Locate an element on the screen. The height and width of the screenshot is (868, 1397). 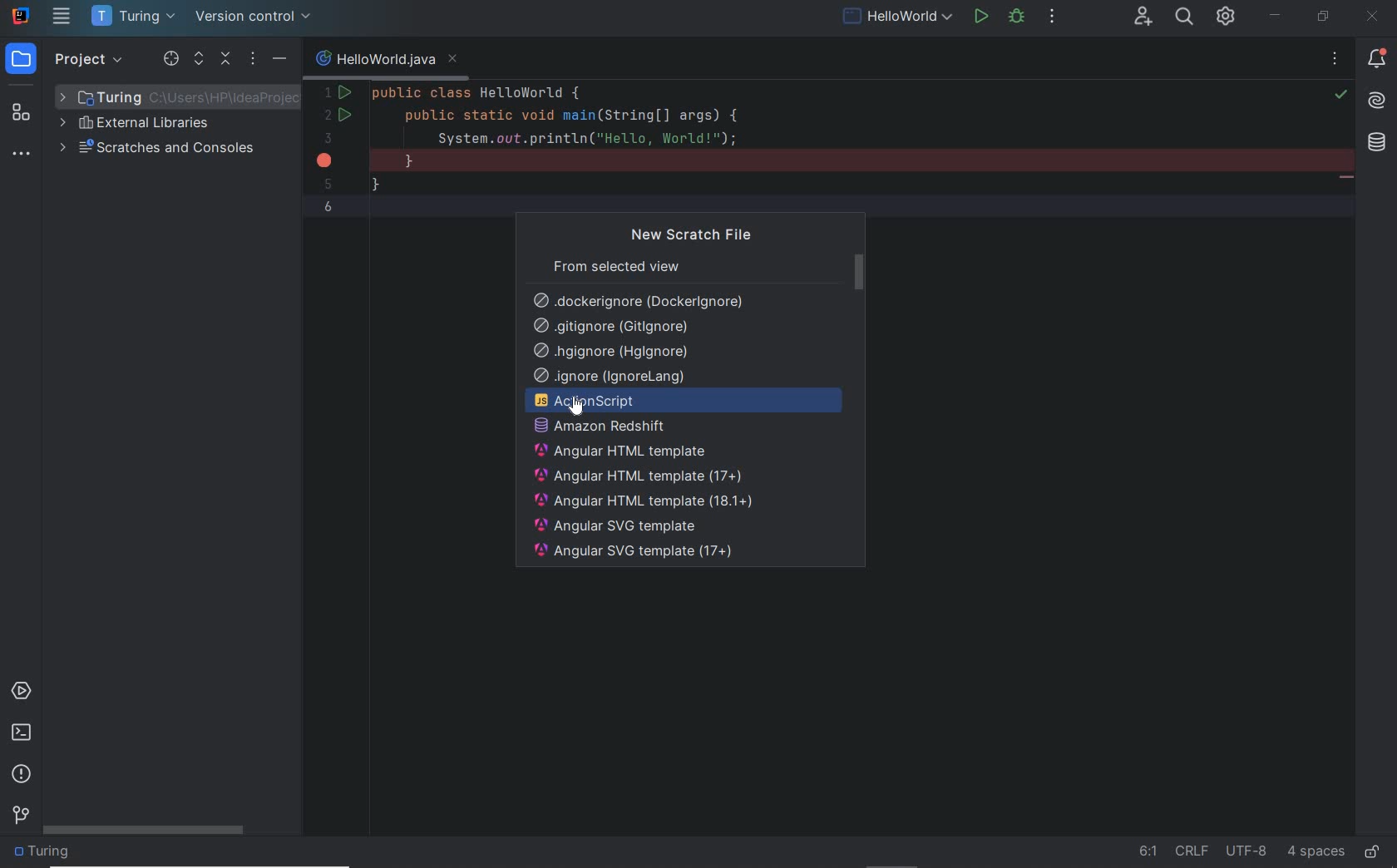
dockerignore is located at coordinates (641, 298).